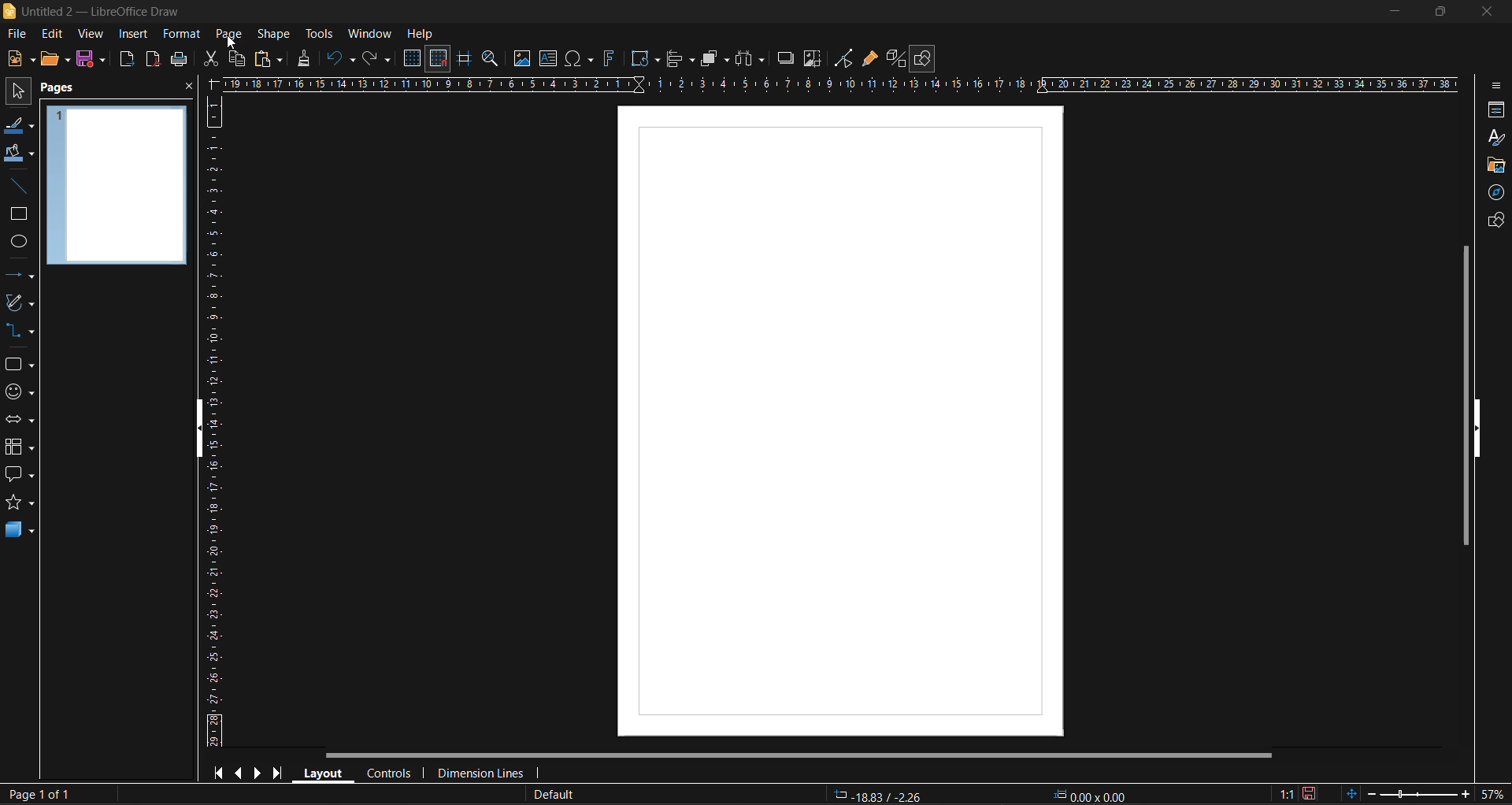  Describe the element at coordinates (273, 33) in the screenshot. I see `shape` at that location.